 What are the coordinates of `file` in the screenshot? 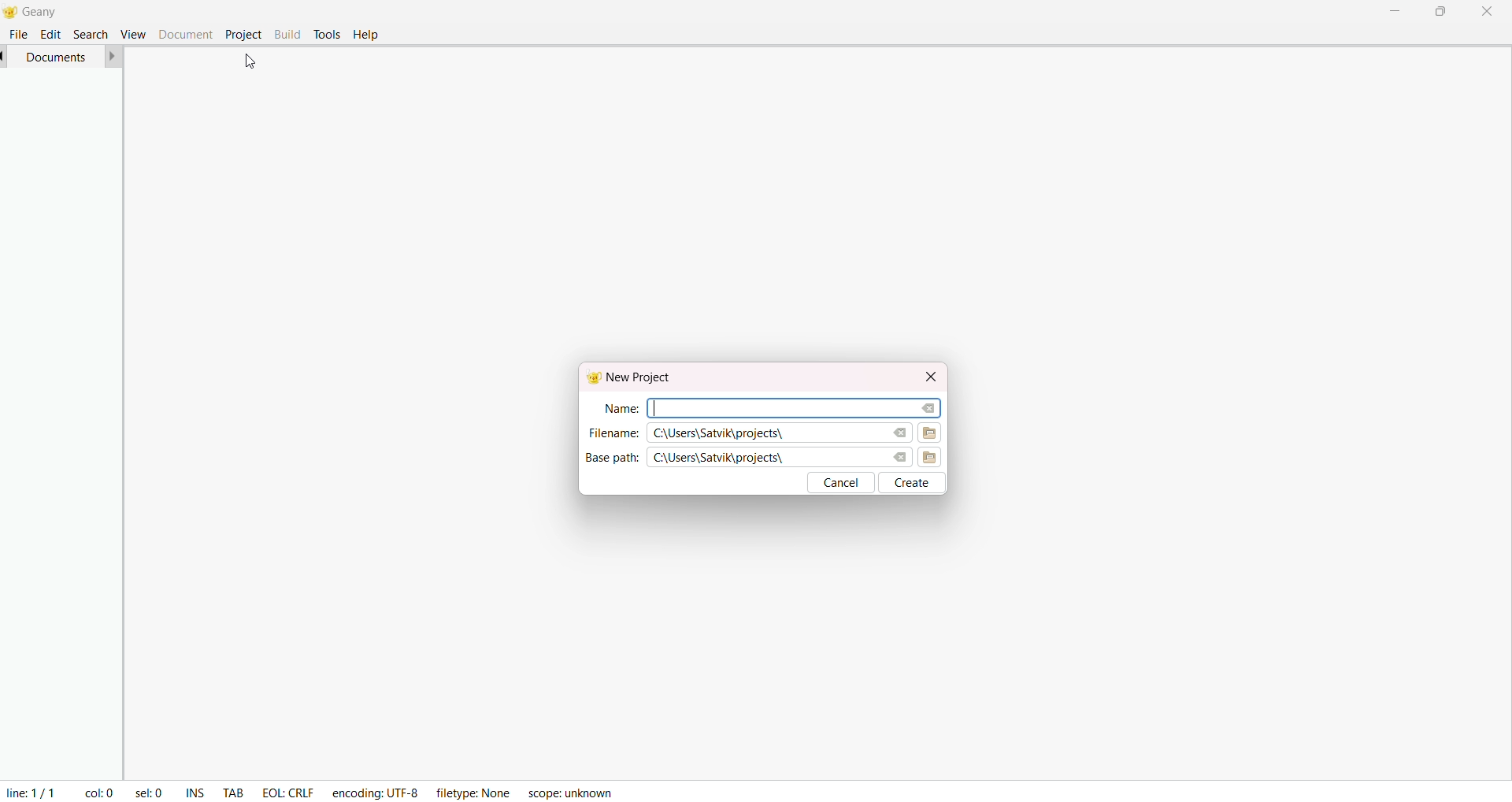 It's located at (19, 34).